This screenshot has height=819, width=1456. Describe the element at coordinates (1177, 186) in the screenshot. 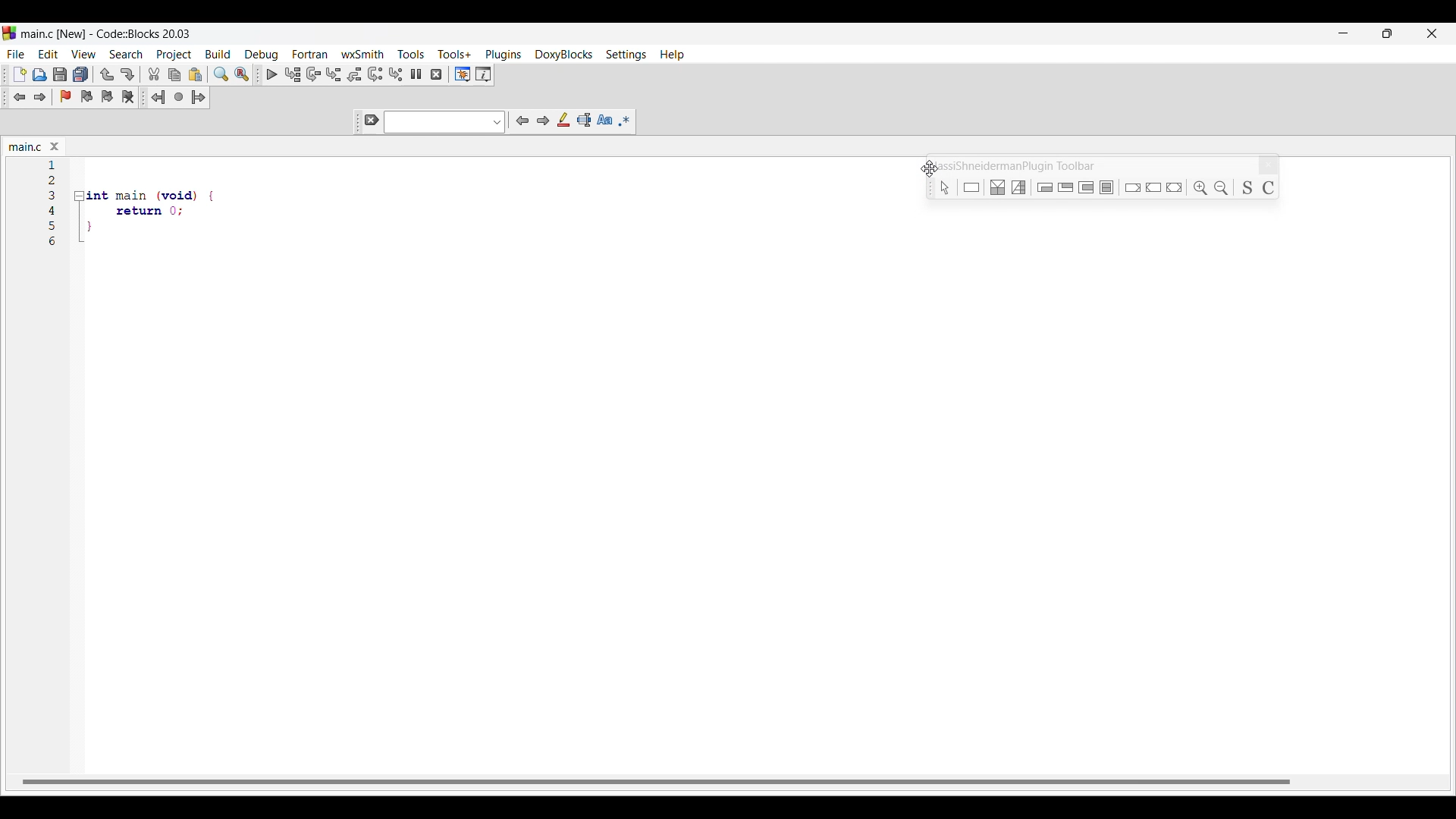

I see `` at that location.